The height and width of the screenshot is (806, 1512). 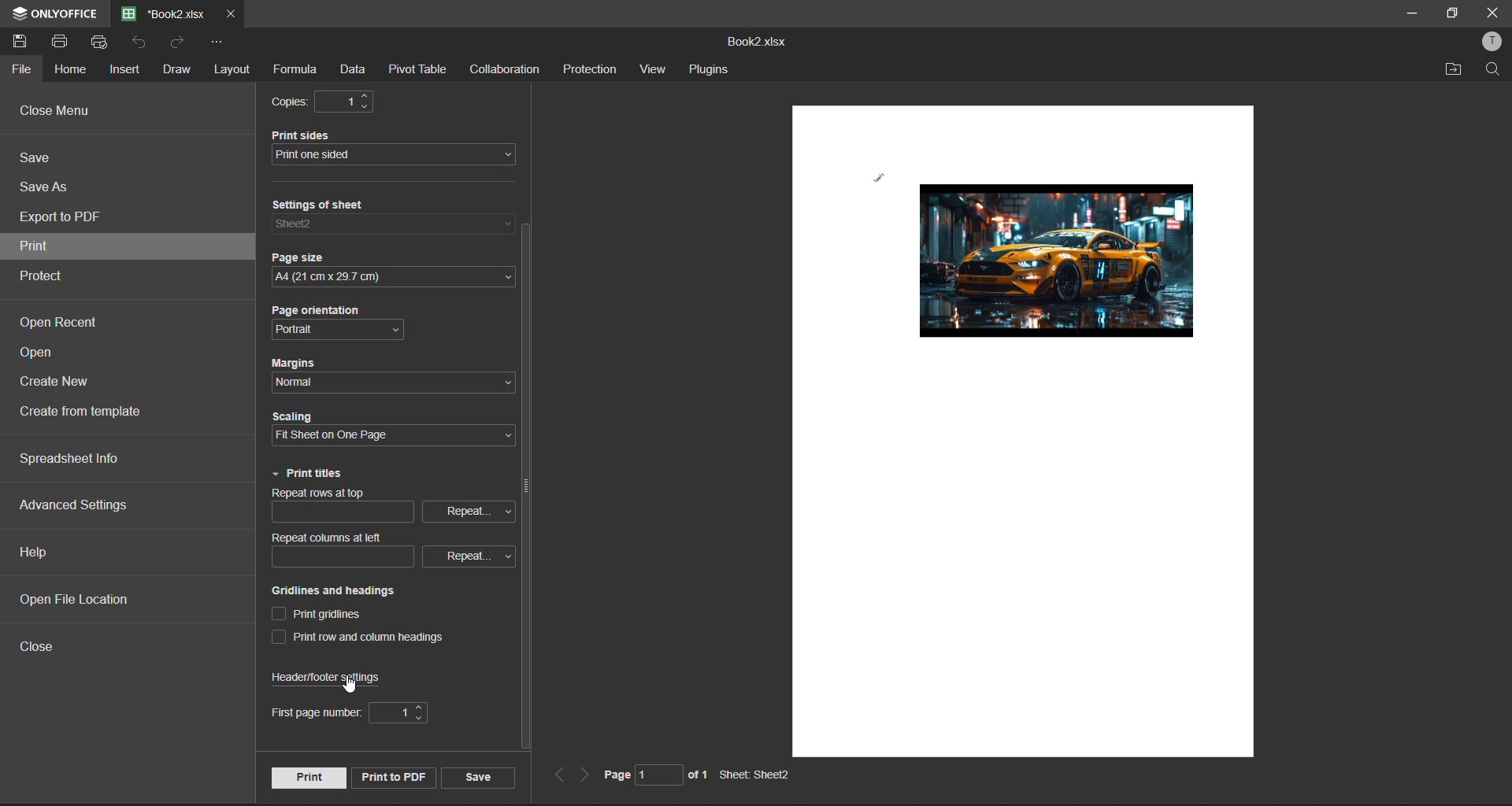 What do you see at coordinates (525, 488) in the screenshot?
I see `vertical scroll bar` at bounding box center [525, 488].